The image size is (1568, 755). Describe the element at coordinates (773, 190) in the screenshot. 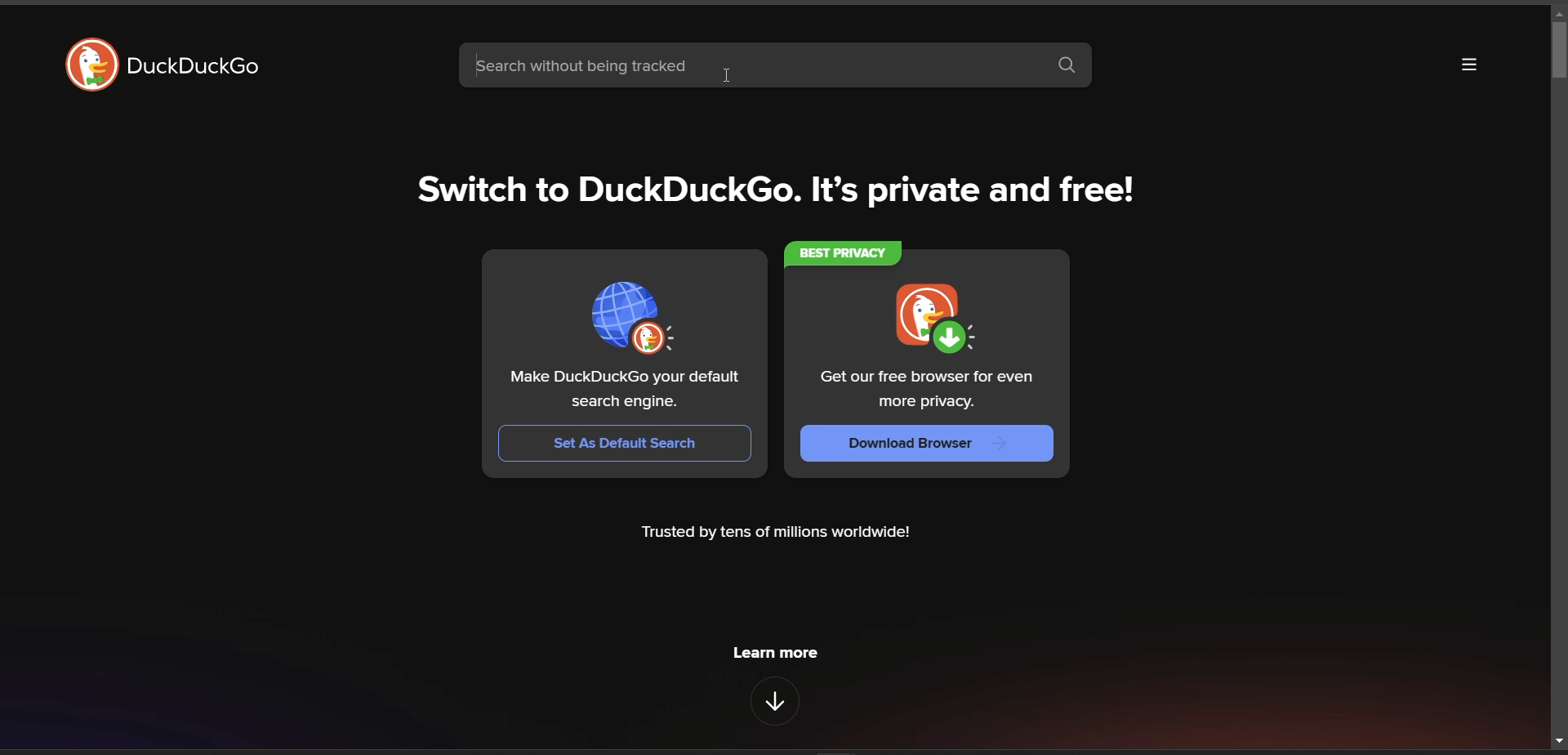

I see `Switch to DuckDuckGo. It’s private and free!` at that location.